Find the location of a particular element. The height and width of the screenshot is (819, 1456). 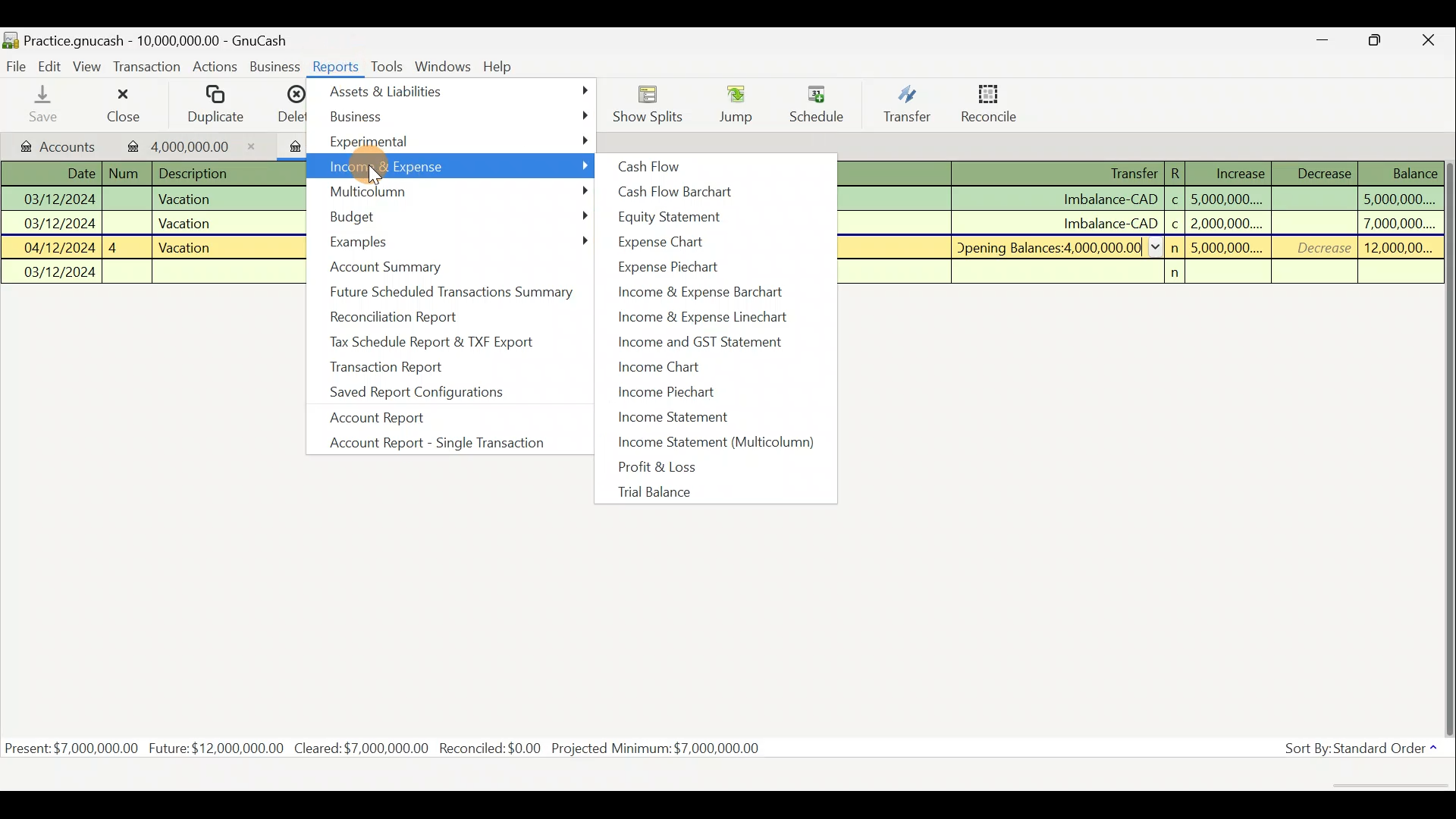

collapse is located at coordinates (1157, 246).